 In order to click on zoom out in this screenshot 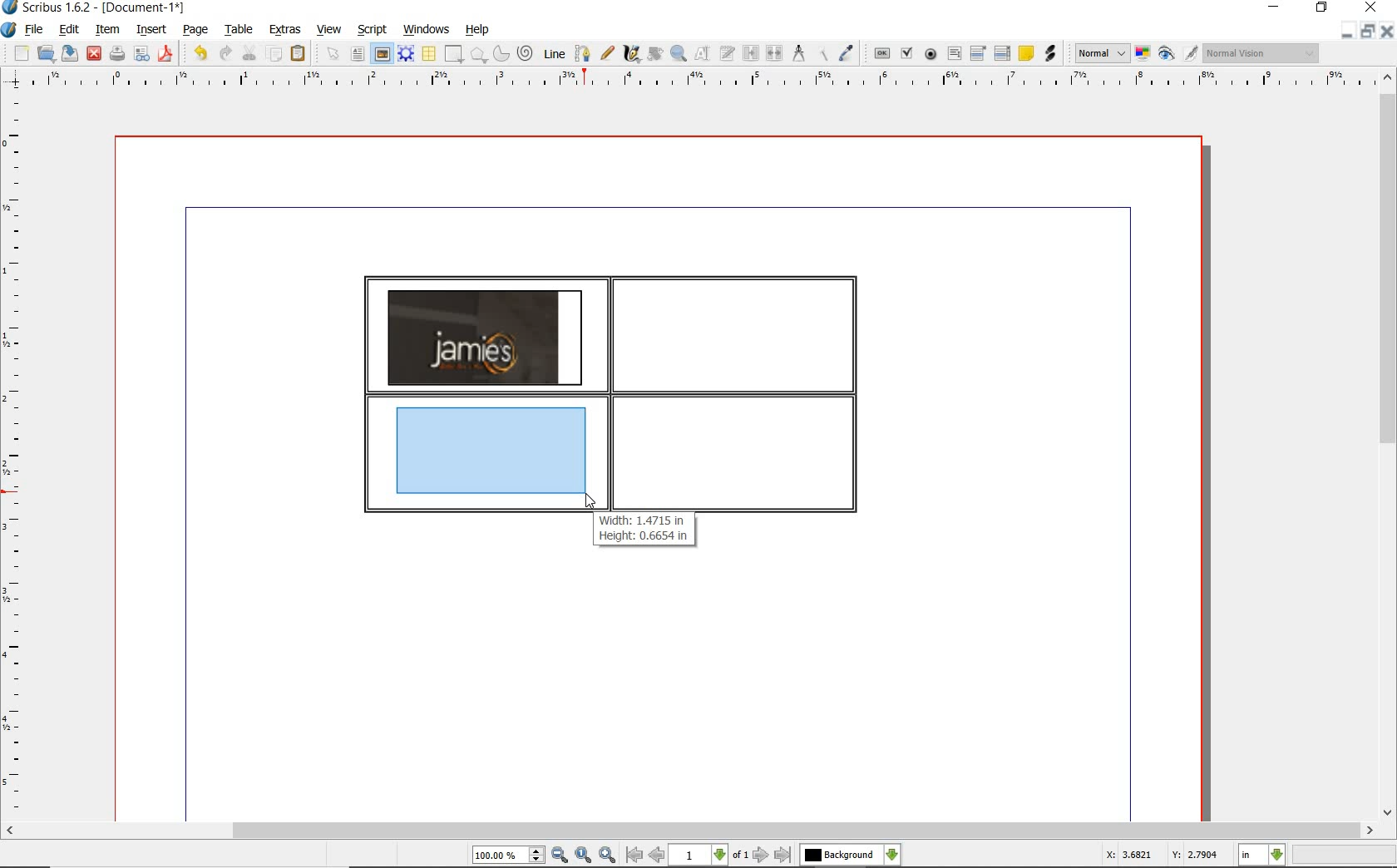, I will do `click(560, 856)`.